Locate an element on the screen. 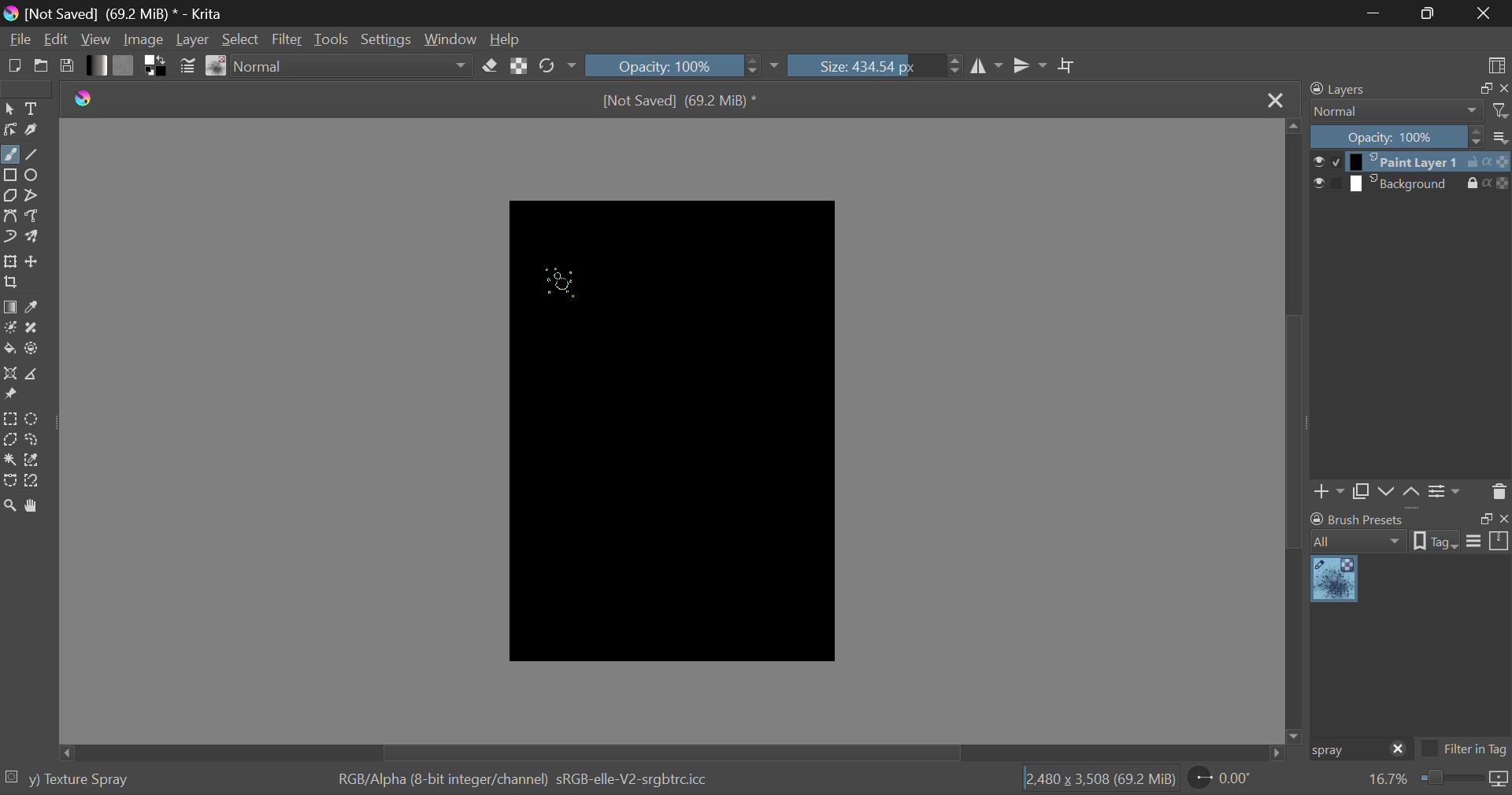  Help is located at coordinates (506, 36).